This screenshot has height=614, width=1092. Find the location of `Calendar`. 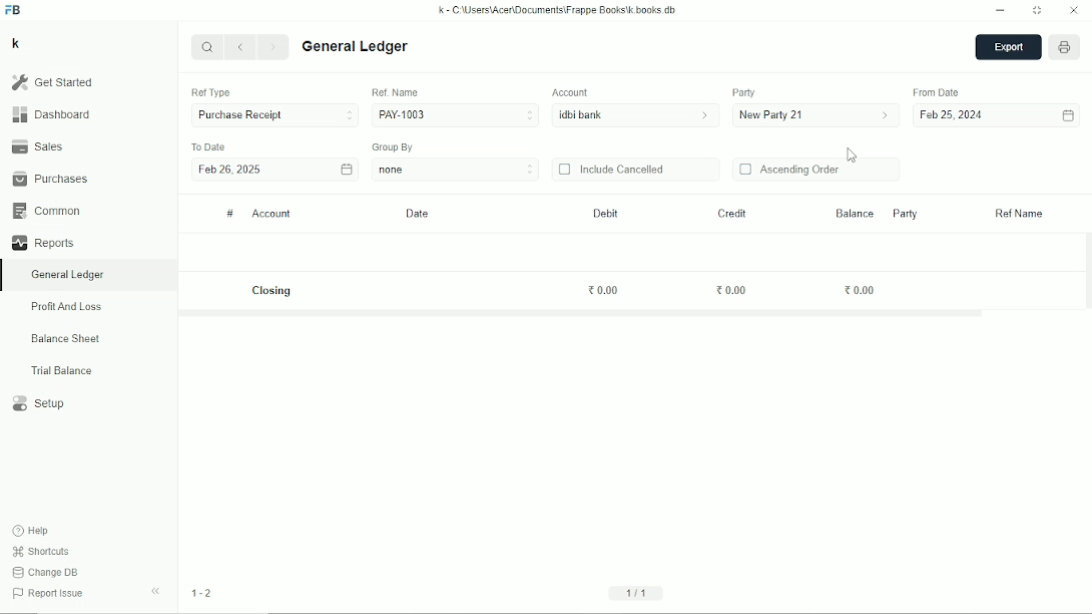

Calendar is located at coordinates (346, 168).